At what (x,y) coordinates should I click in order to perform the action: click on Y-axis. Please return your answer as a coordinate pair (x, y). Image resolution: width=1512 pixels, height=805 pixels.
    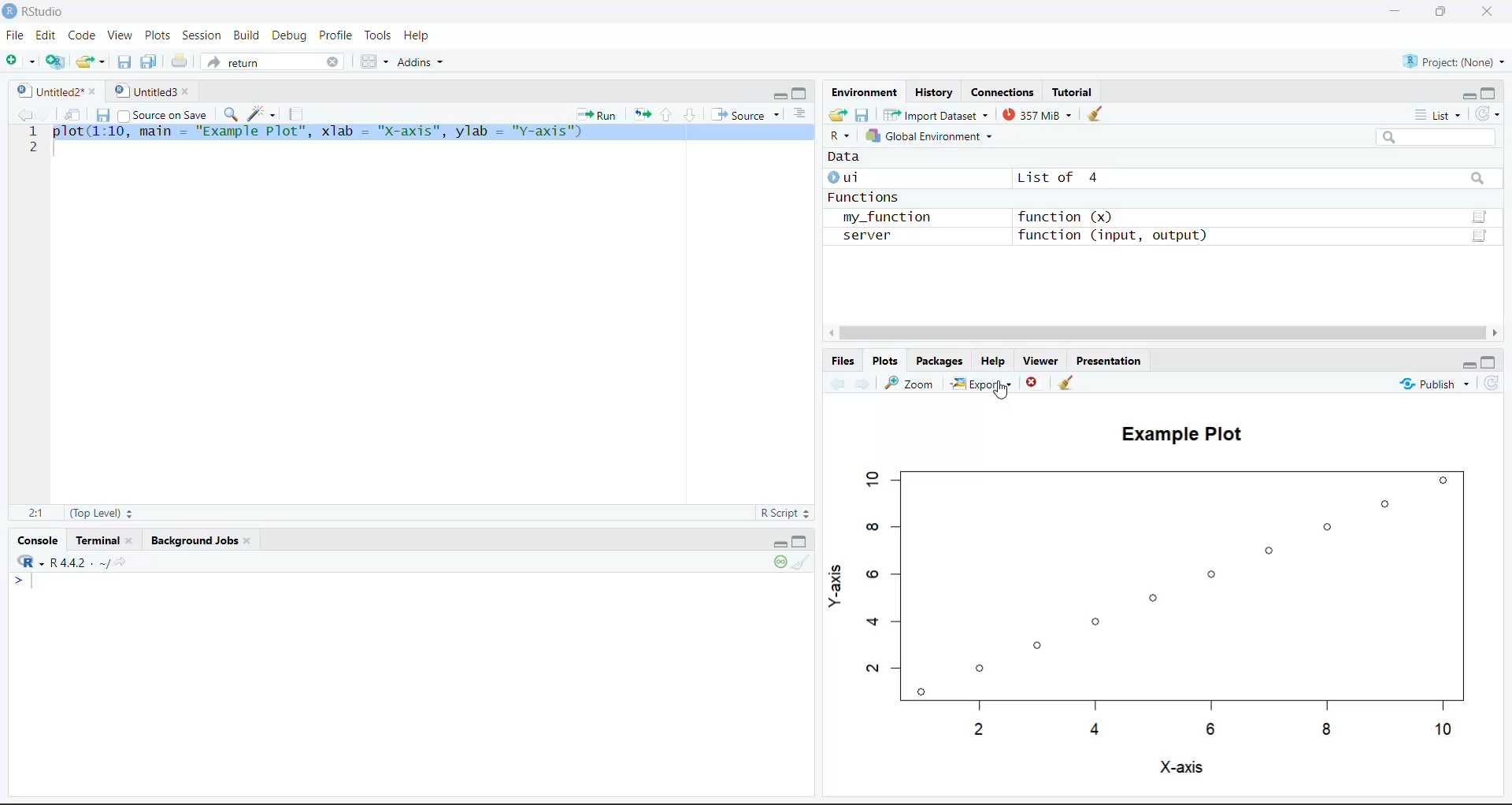
    Looking at the image, I should click on (836, 584).